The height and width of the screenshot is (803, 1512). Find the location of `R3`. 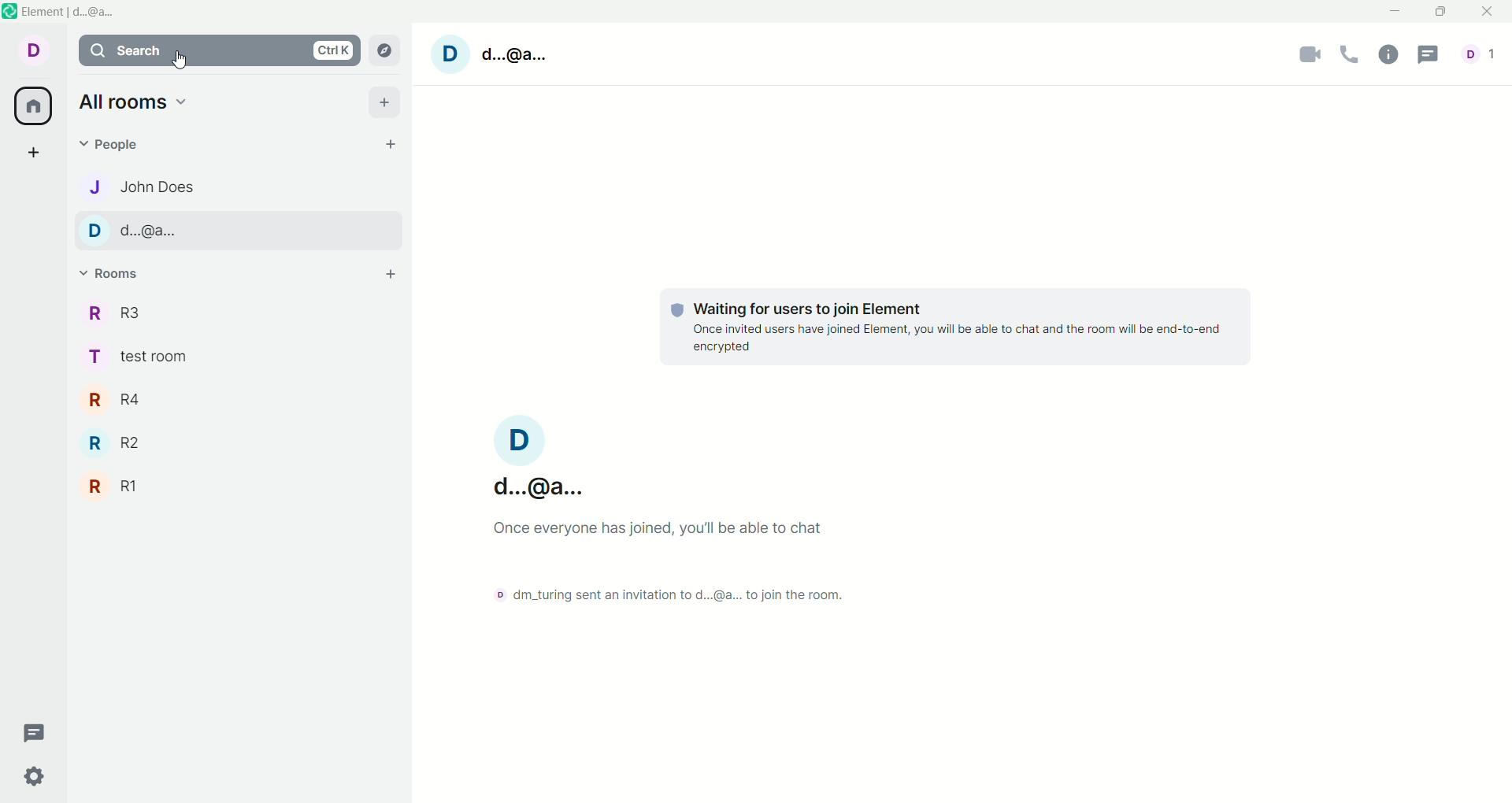

R3 is located at coordinates (242, 315).